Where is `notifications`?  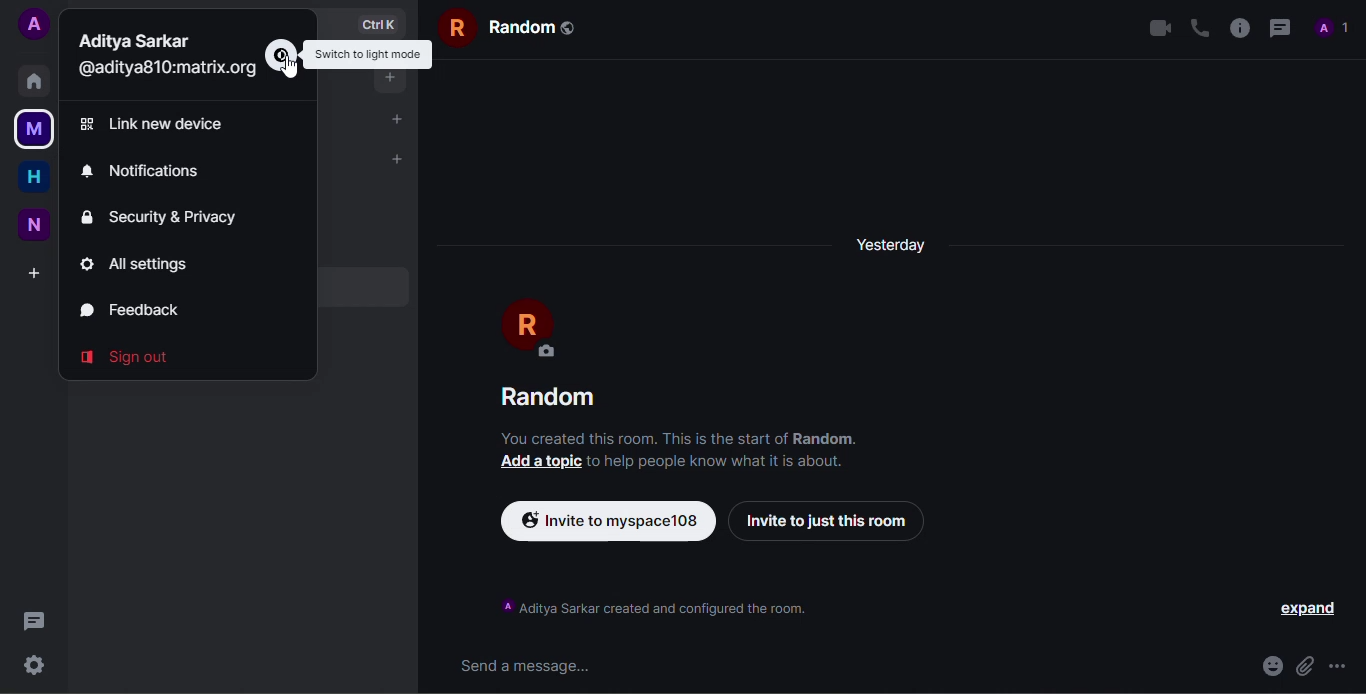
notifications is located at coordinates (156, 170).